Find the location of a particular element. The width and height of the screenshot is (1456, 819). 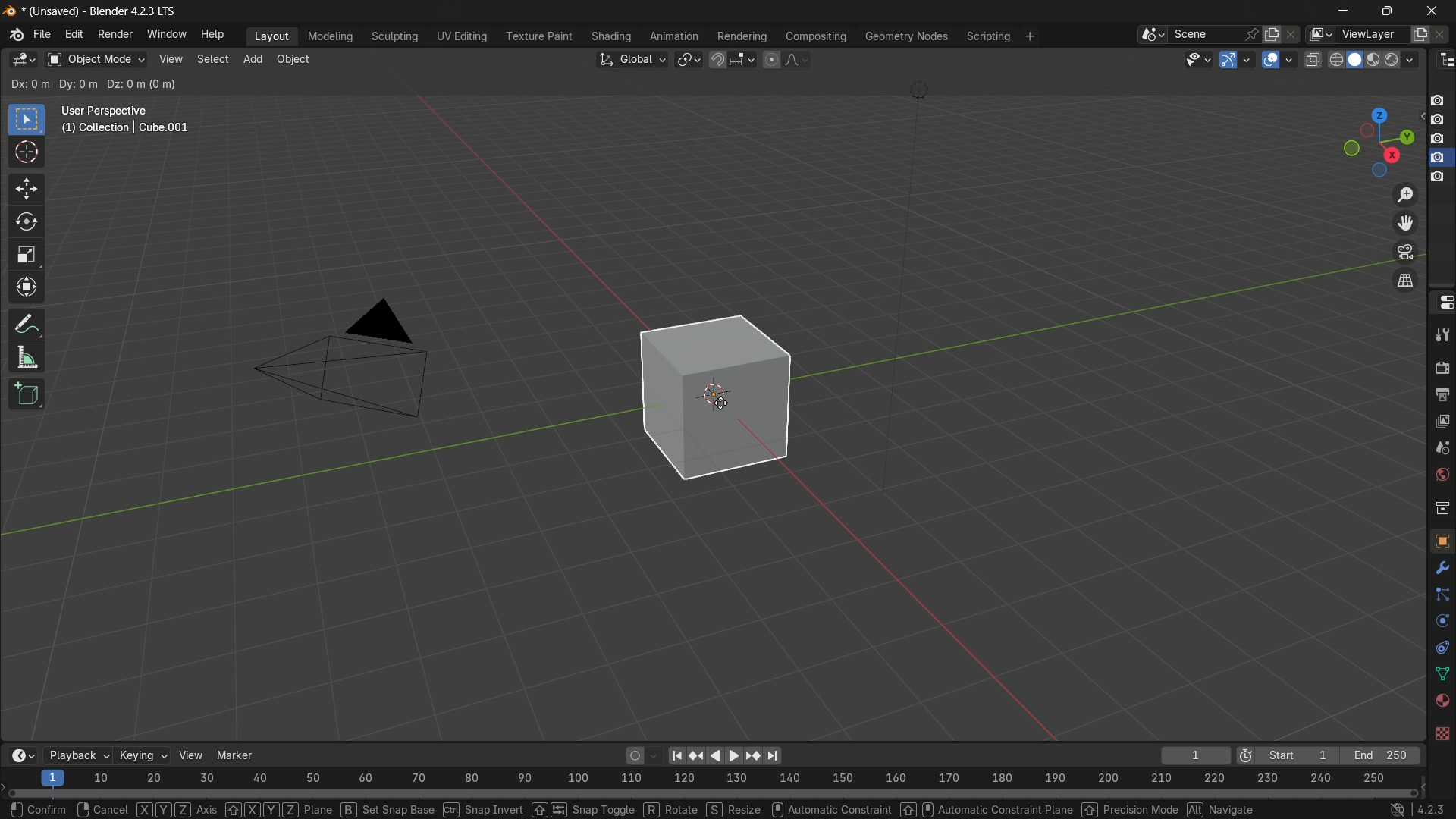

view layer name is located at coordinates (1374, 34).